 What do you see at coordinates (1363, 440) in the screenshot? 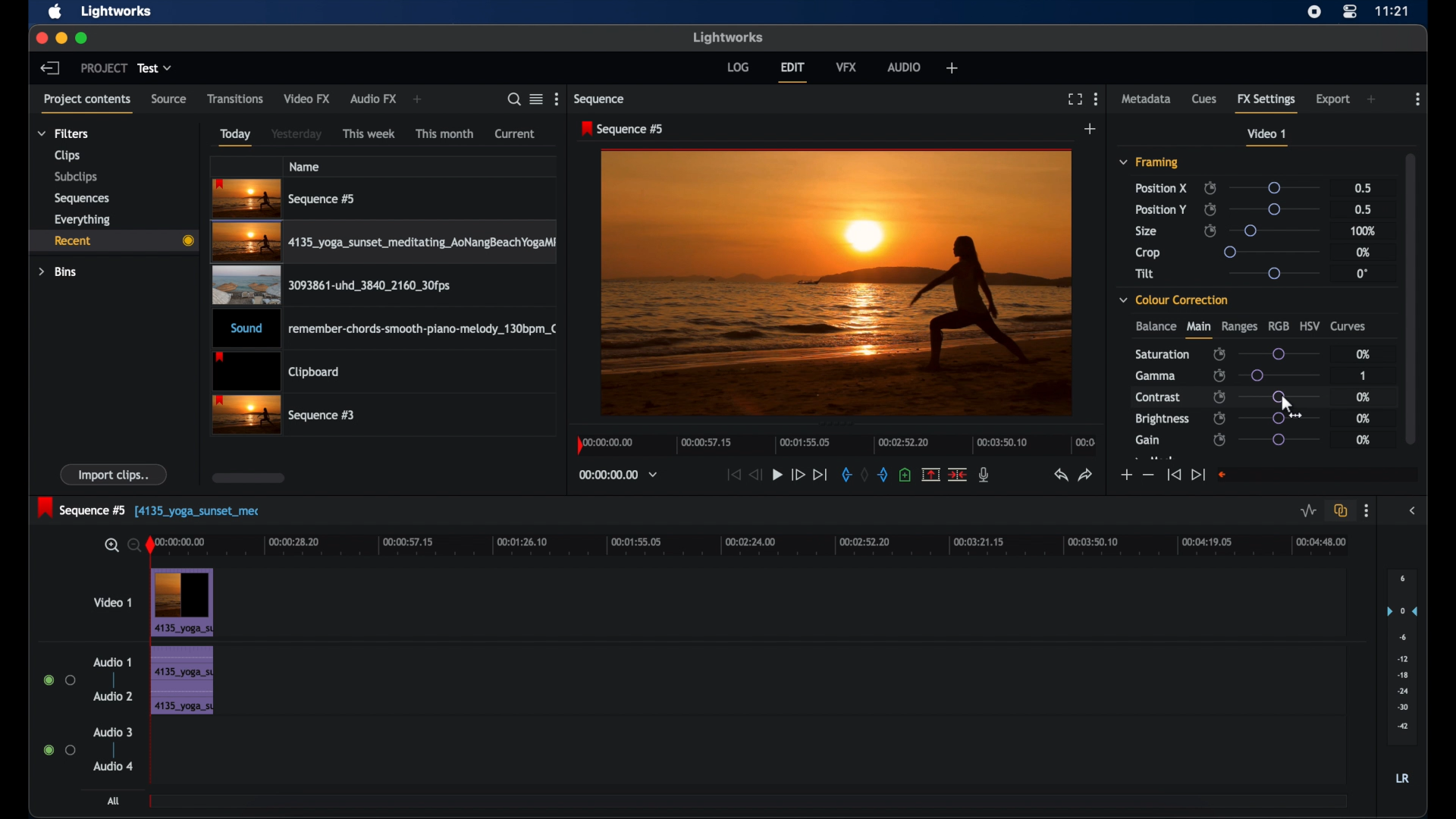
I see `0%` at bounding box center [1363, 440].